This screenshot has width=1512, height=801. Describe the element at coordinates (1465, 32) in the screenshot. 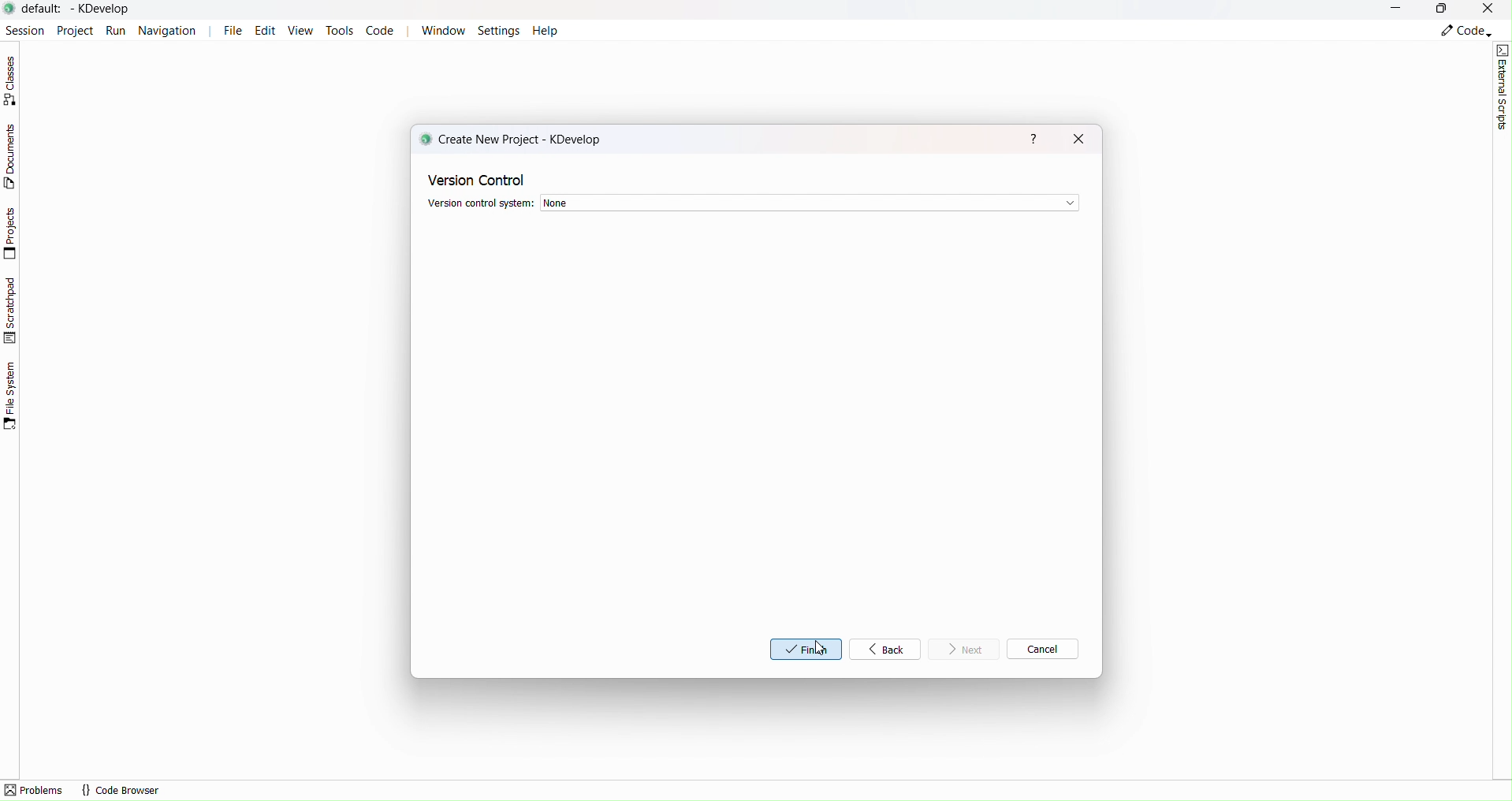

I see `Code` at that location.